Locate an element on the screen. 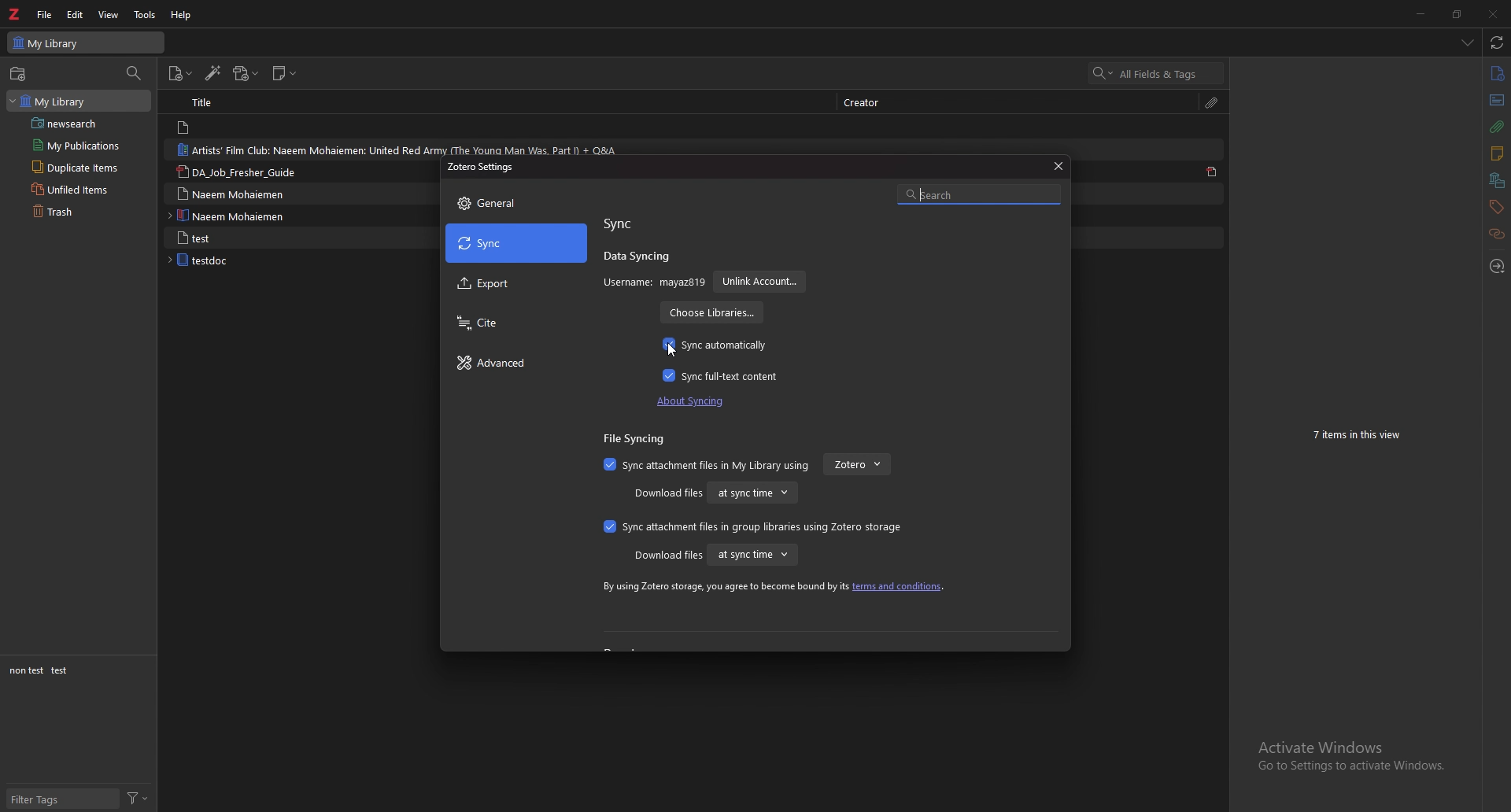 This screenshot has width=1511, height=812. note is located at coordinates (227, 127).